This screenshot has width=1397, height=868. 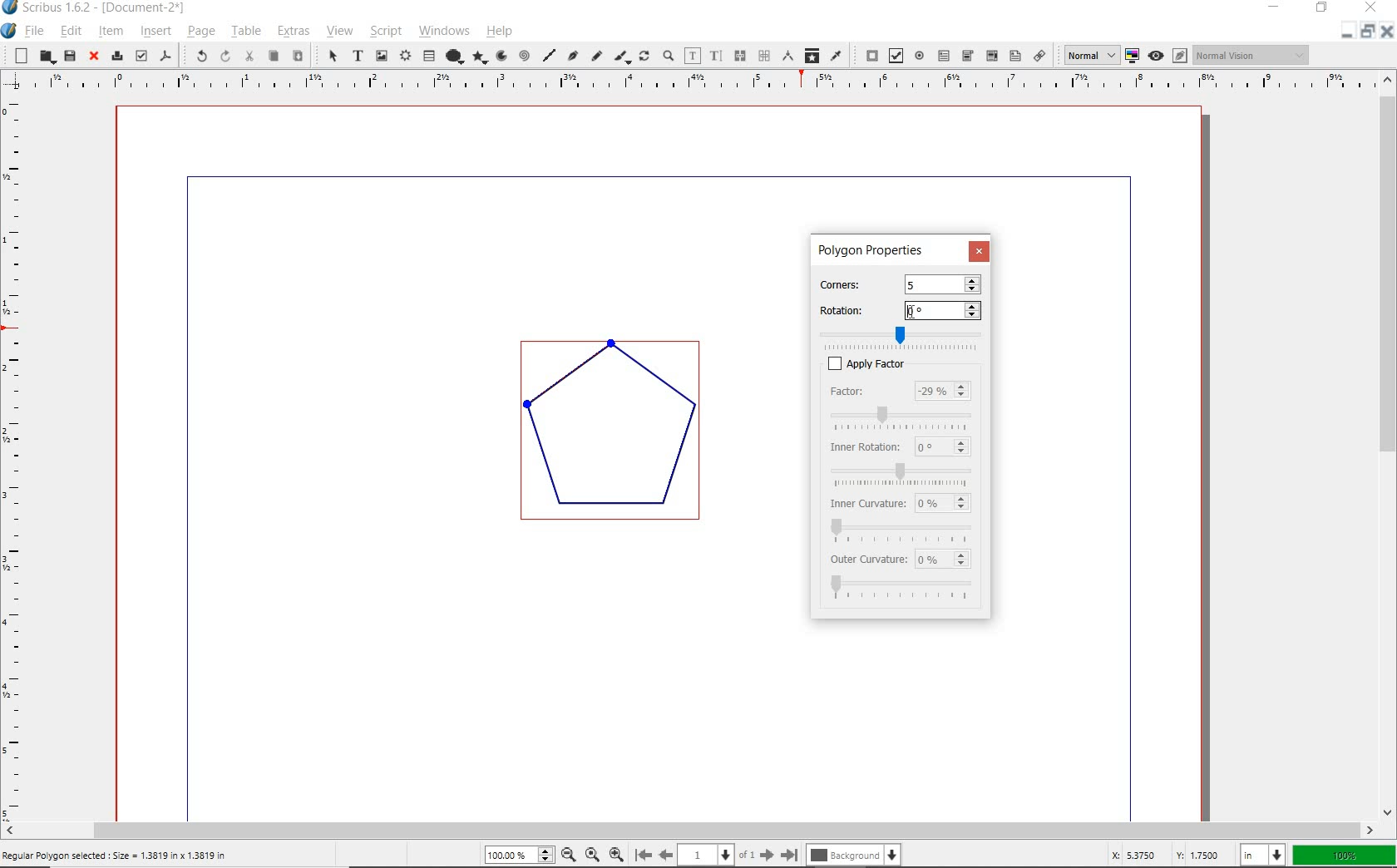 What do you see at coordinates (35, 31) in the screenshot?
I see `file` at bounding box center [35, 31].